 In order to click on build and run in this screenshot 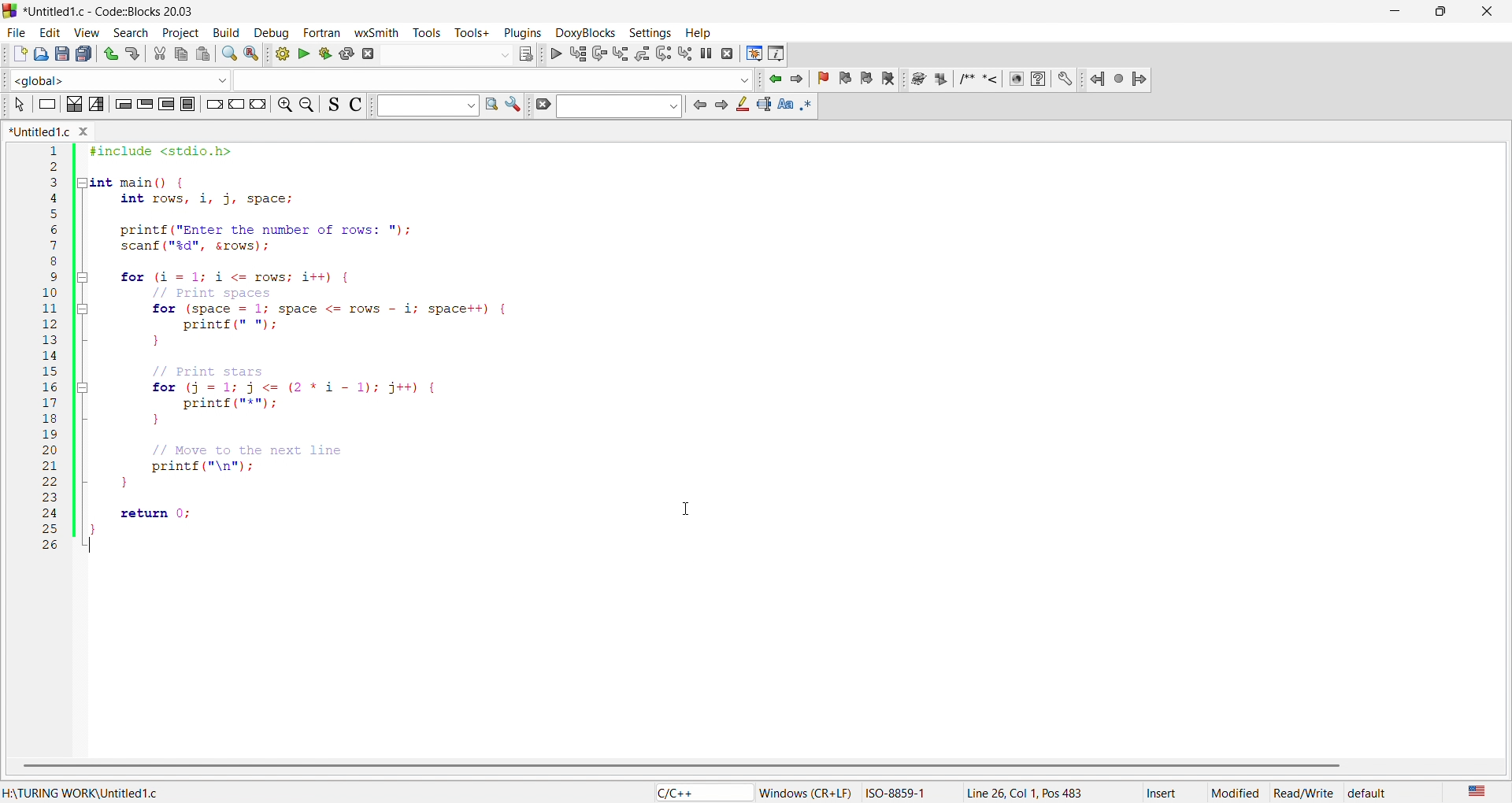, I will do `click(321, 54)`.